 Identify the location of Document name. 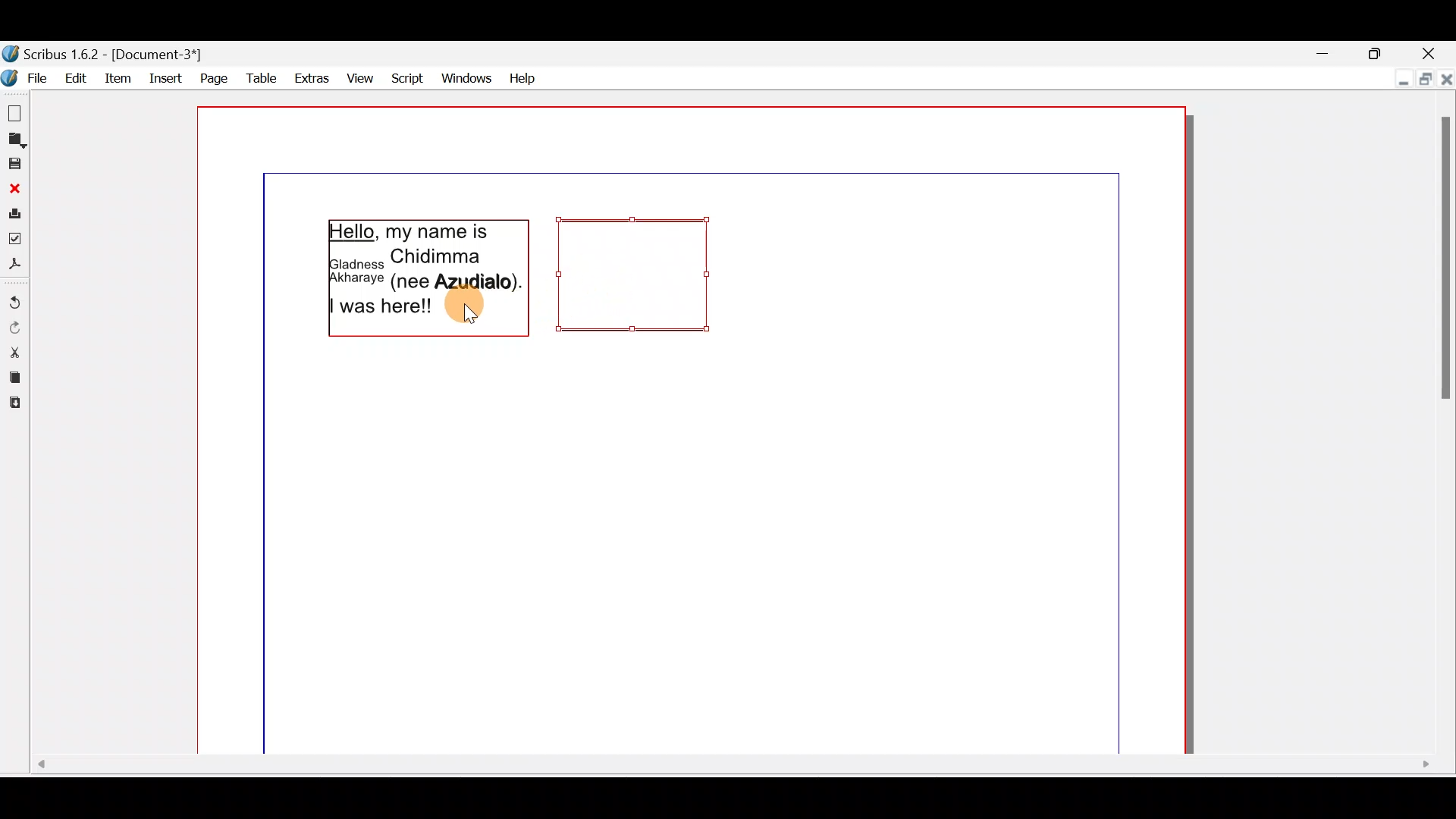
(115, 54).